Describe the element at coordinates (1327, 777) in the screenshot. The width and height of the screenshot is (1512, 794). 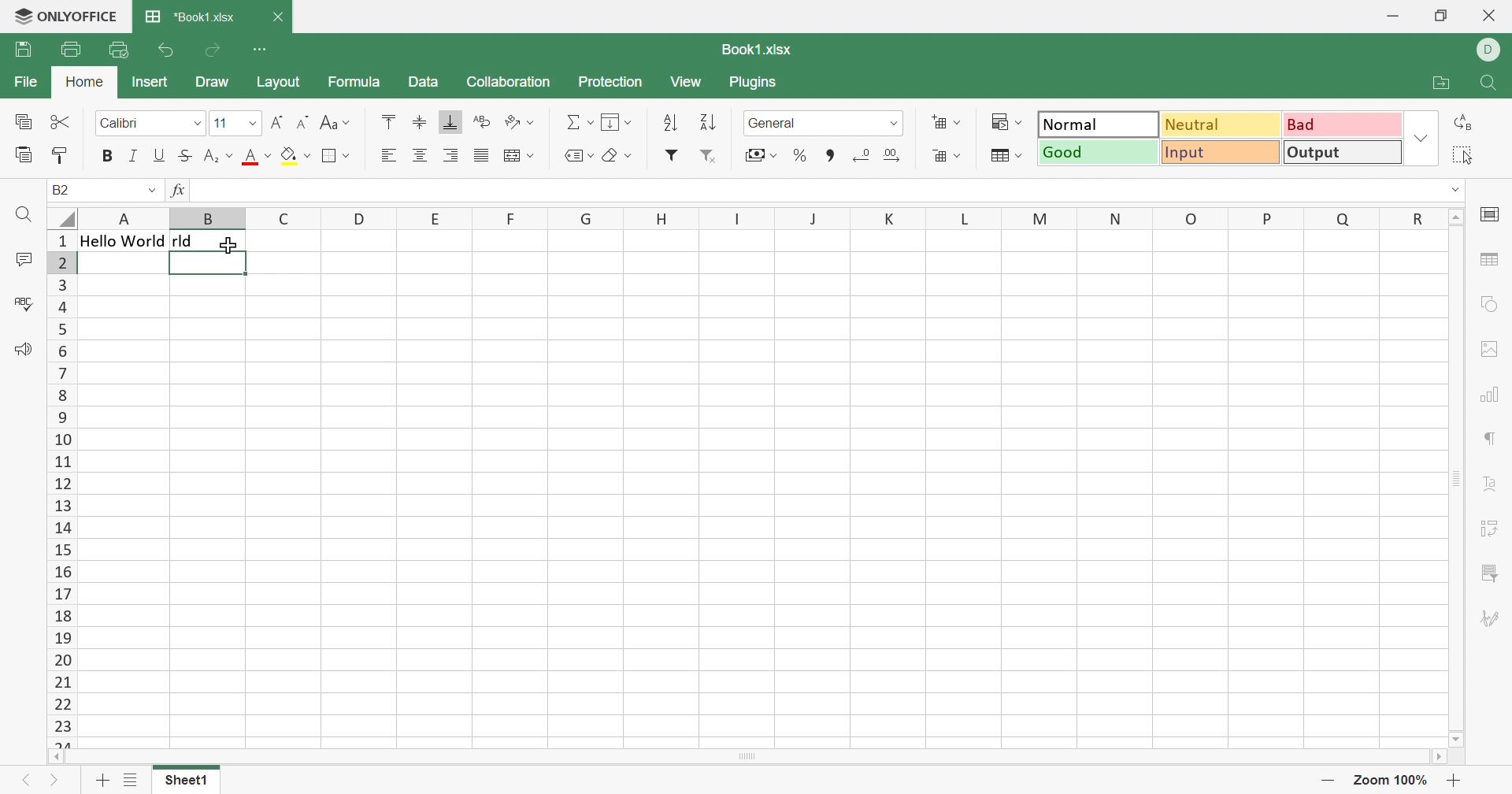
I see `Zoom out` at that location.